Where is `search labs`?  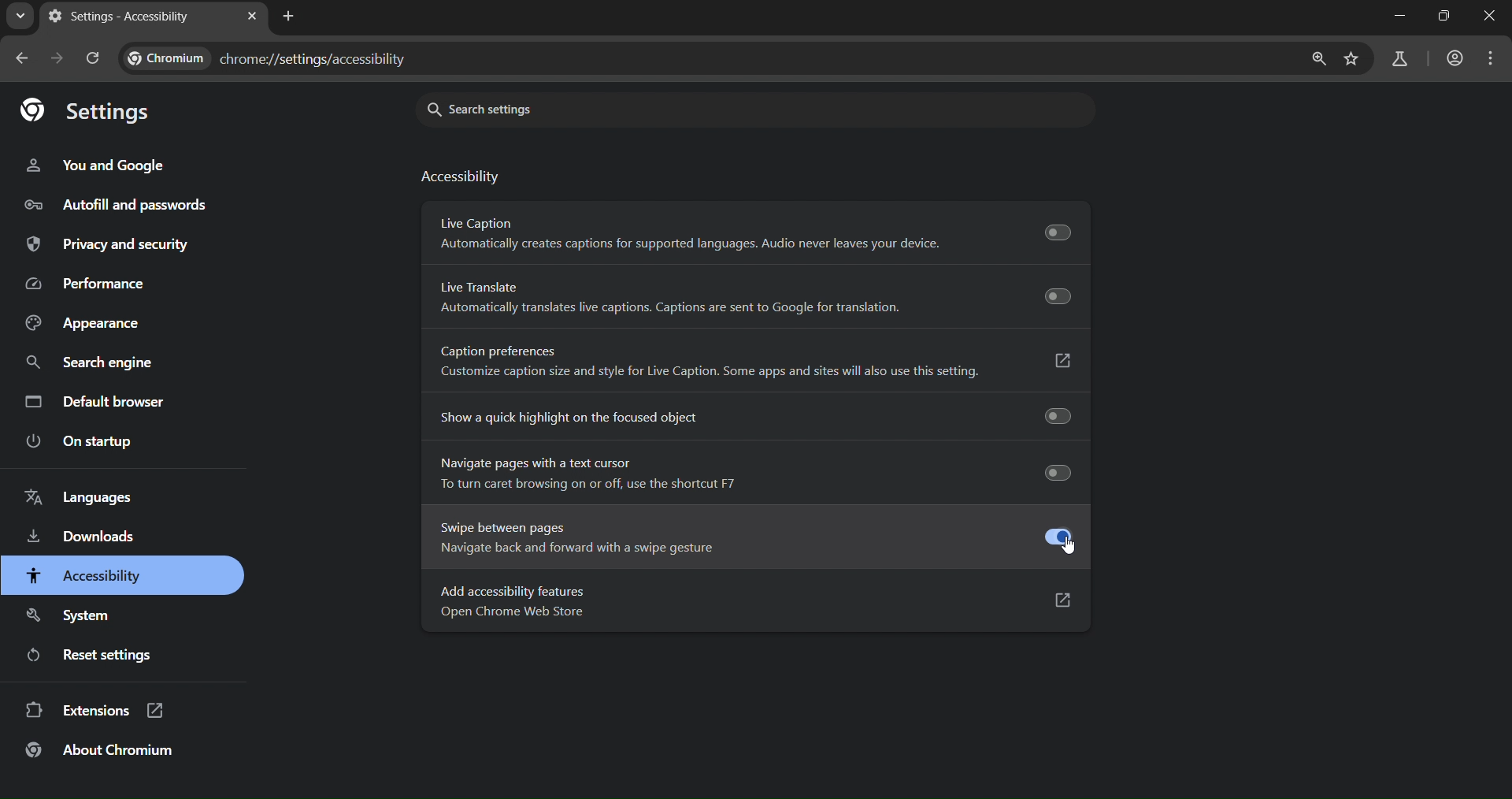
search labs is located at coordinates (1397, 59).